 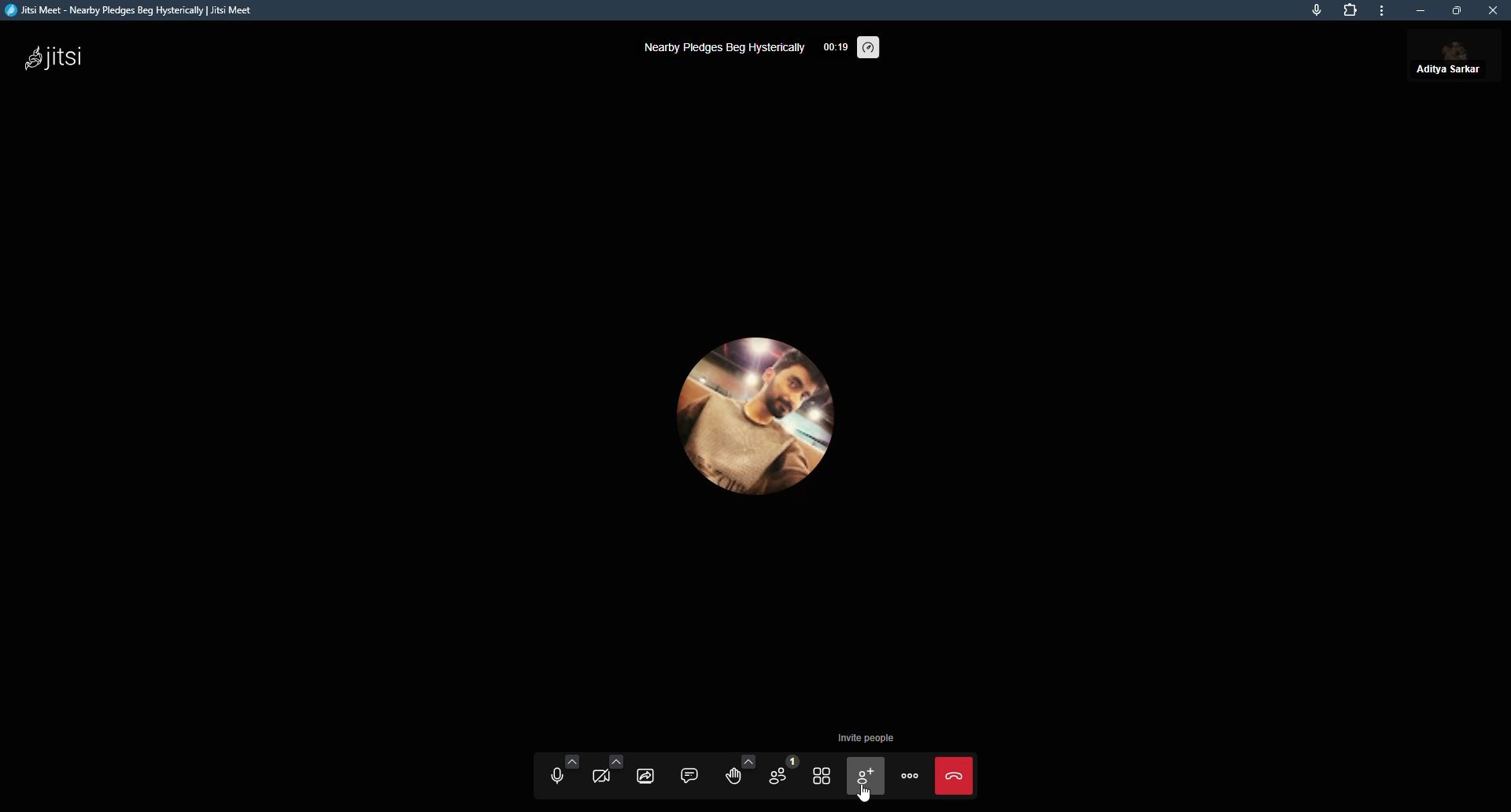 What do you see at coordinates (911, 778) in the screenshot?
I see `more actions` at bounding box center [911, 778].